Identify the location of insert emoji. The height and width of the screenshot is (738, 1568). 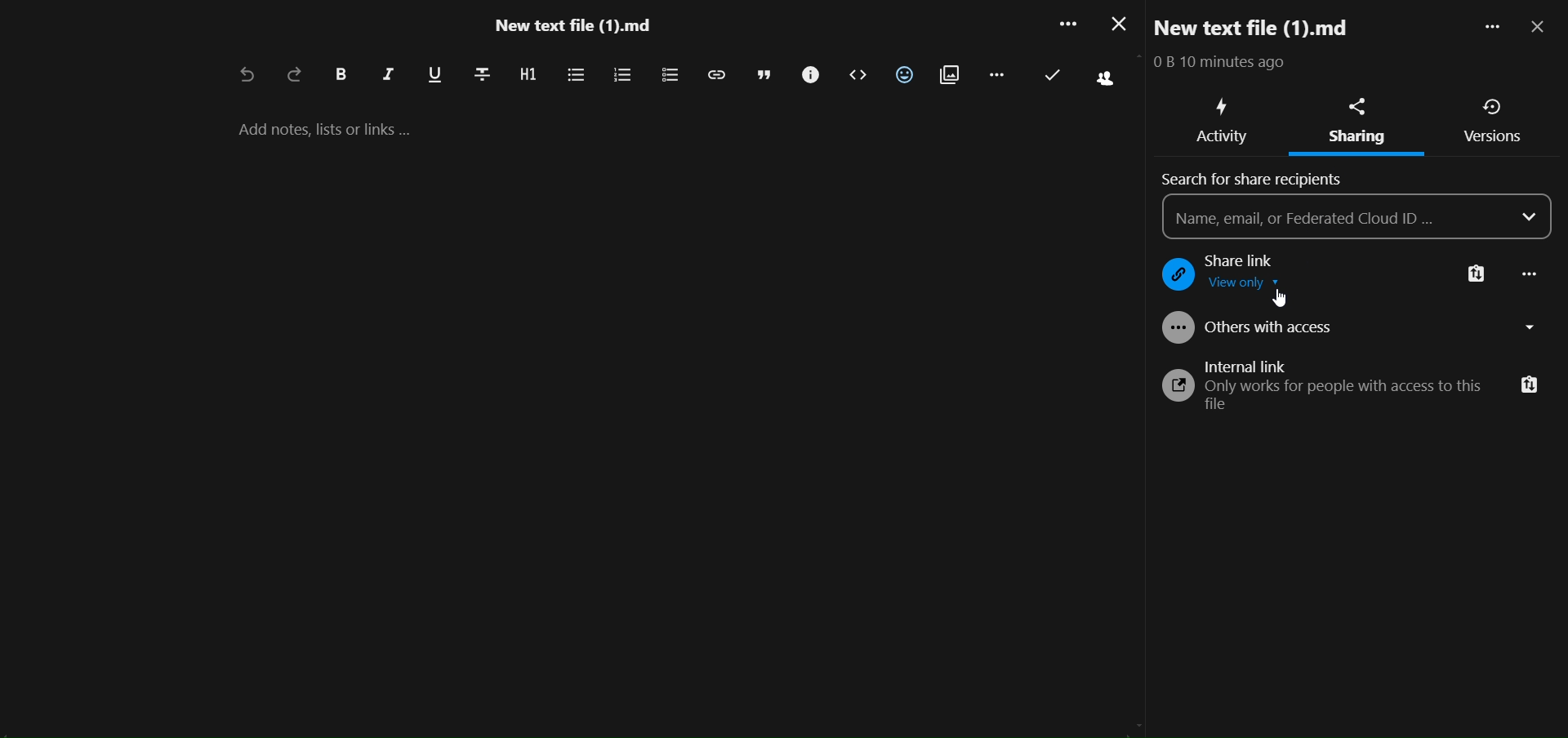
(904, 74).